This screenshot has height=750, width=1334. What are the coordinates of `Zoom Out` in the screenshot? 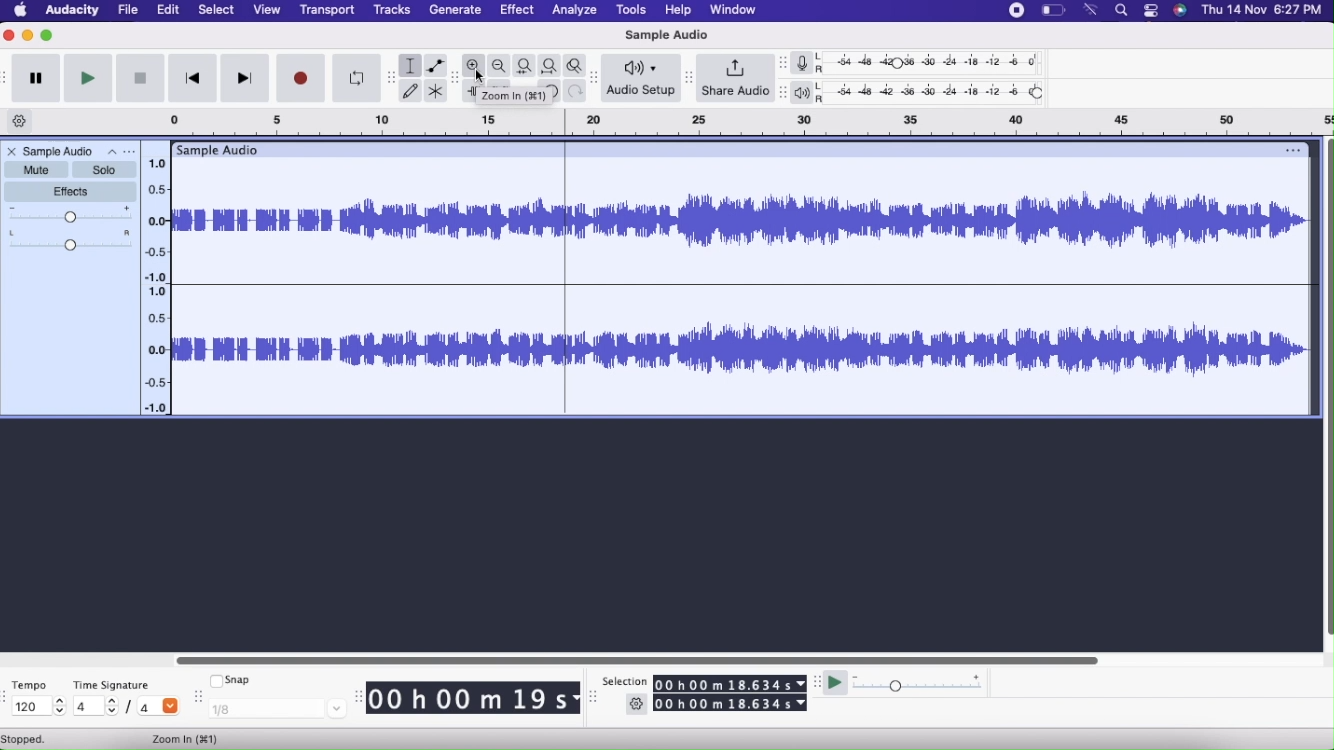 It's located at (500, 66).